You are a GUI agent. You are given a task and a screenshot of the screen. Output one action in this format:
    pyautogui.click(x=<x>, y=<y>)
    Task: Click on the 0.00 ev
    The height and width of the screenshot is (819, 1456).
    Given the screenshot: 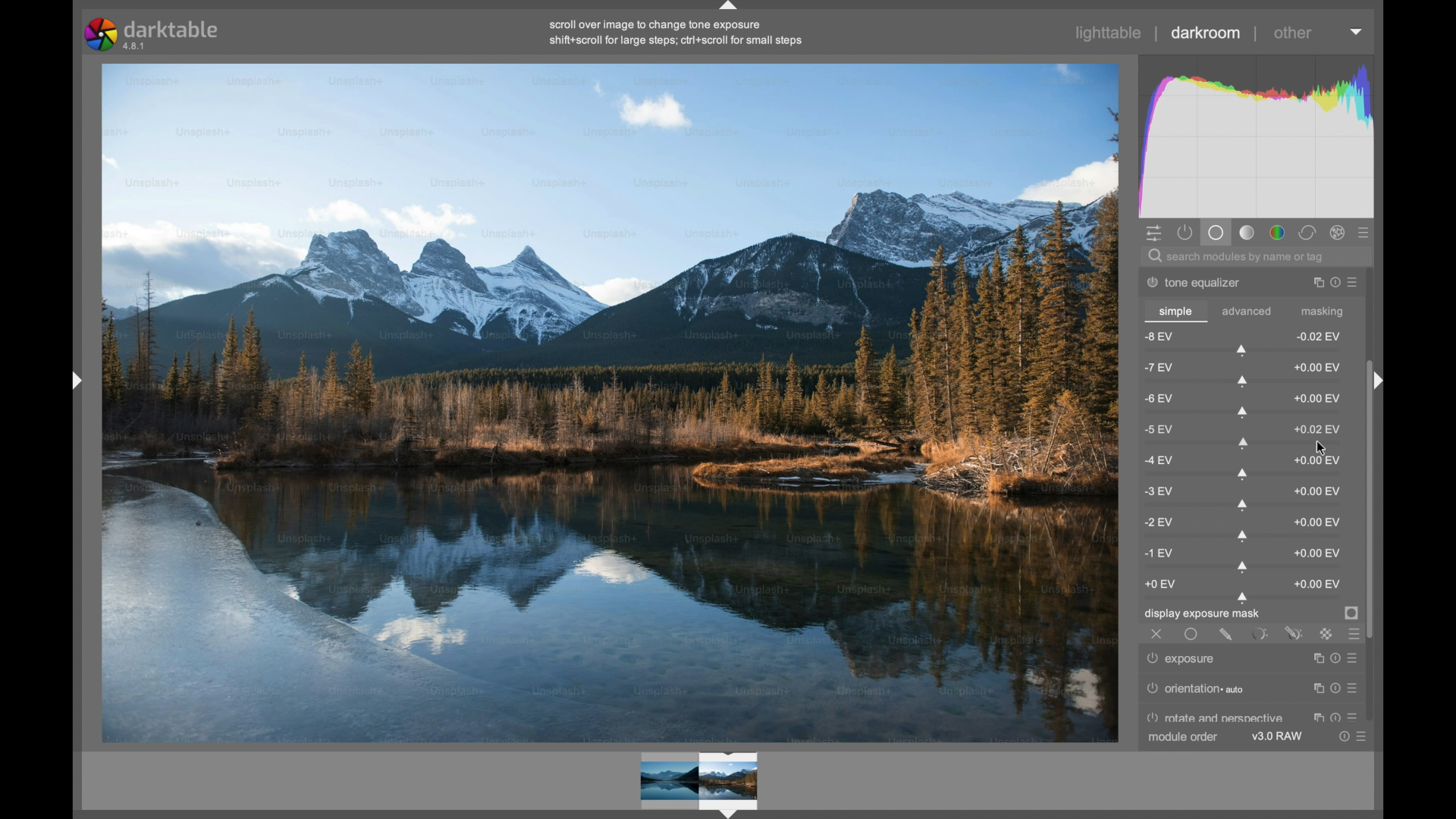 What is the action you would take?
    pyautogui.click(x=1316, y=553)
    